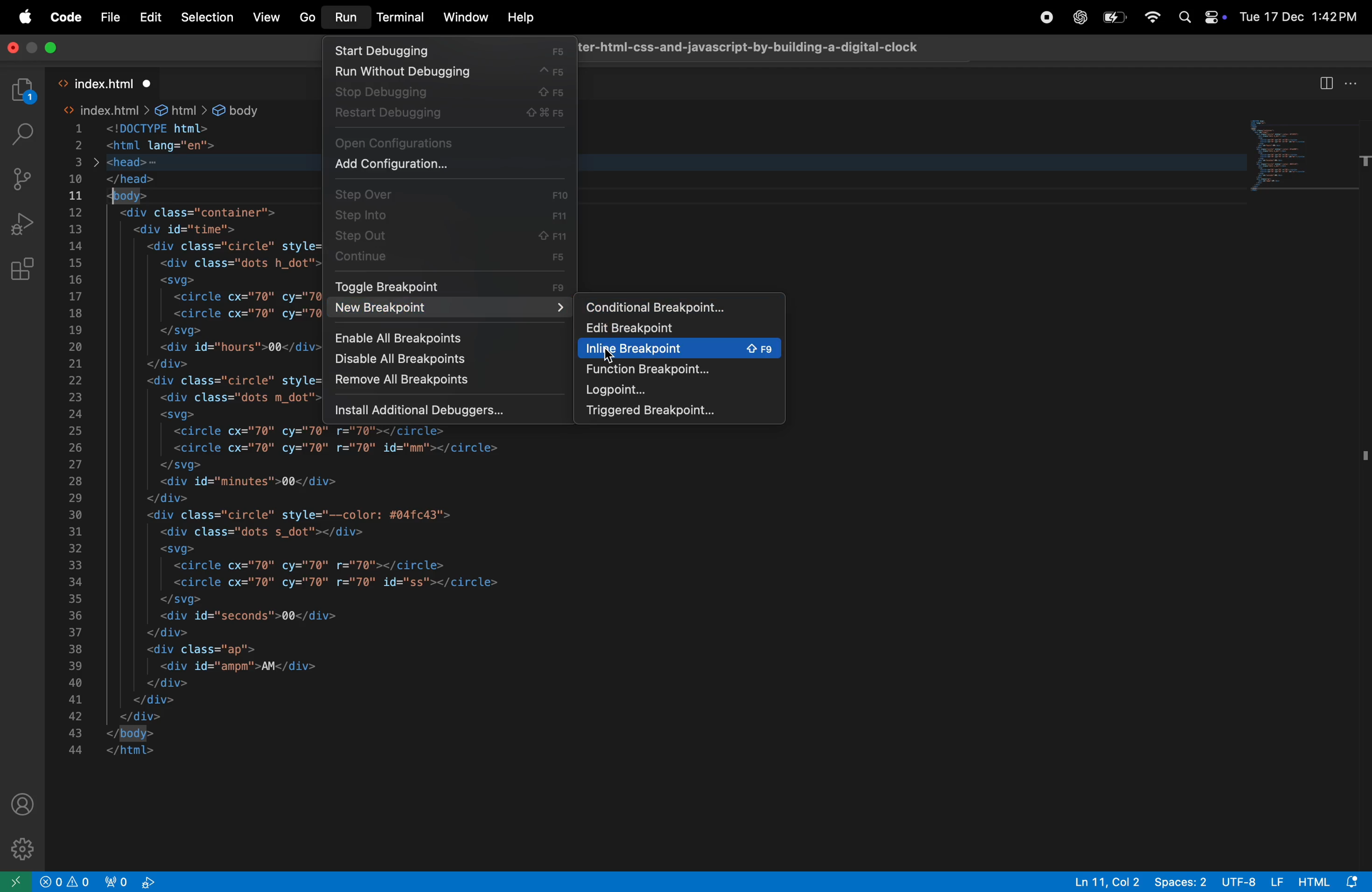 The height and width of the screenshot is (892, 1372). I want to click on maximize, so click(55, 49).